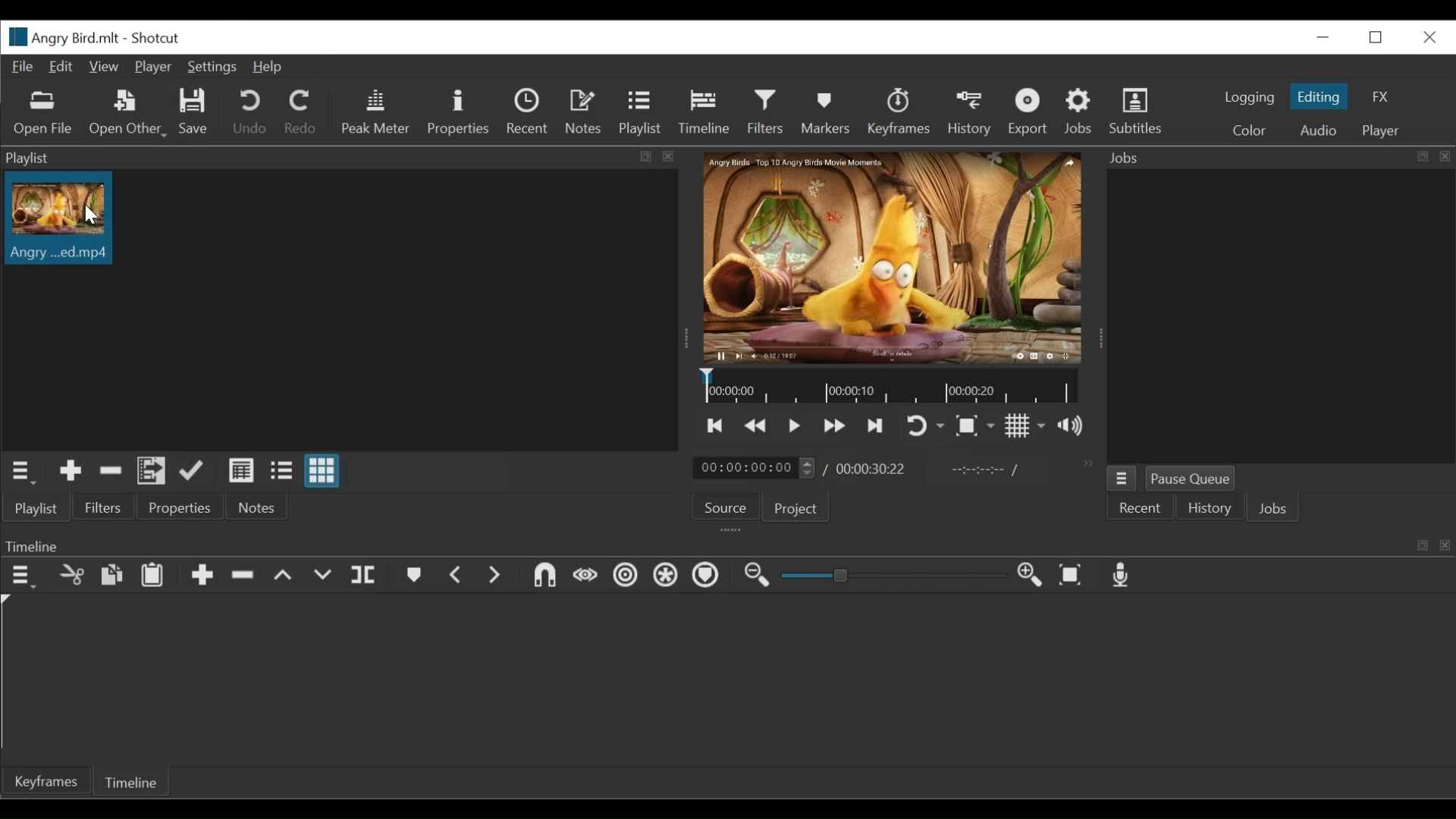 This screenshot has height=819, width=1456. Describe the element at coordinates (1122, 479) in the screenshot. I see `Jobs menu` at that location.